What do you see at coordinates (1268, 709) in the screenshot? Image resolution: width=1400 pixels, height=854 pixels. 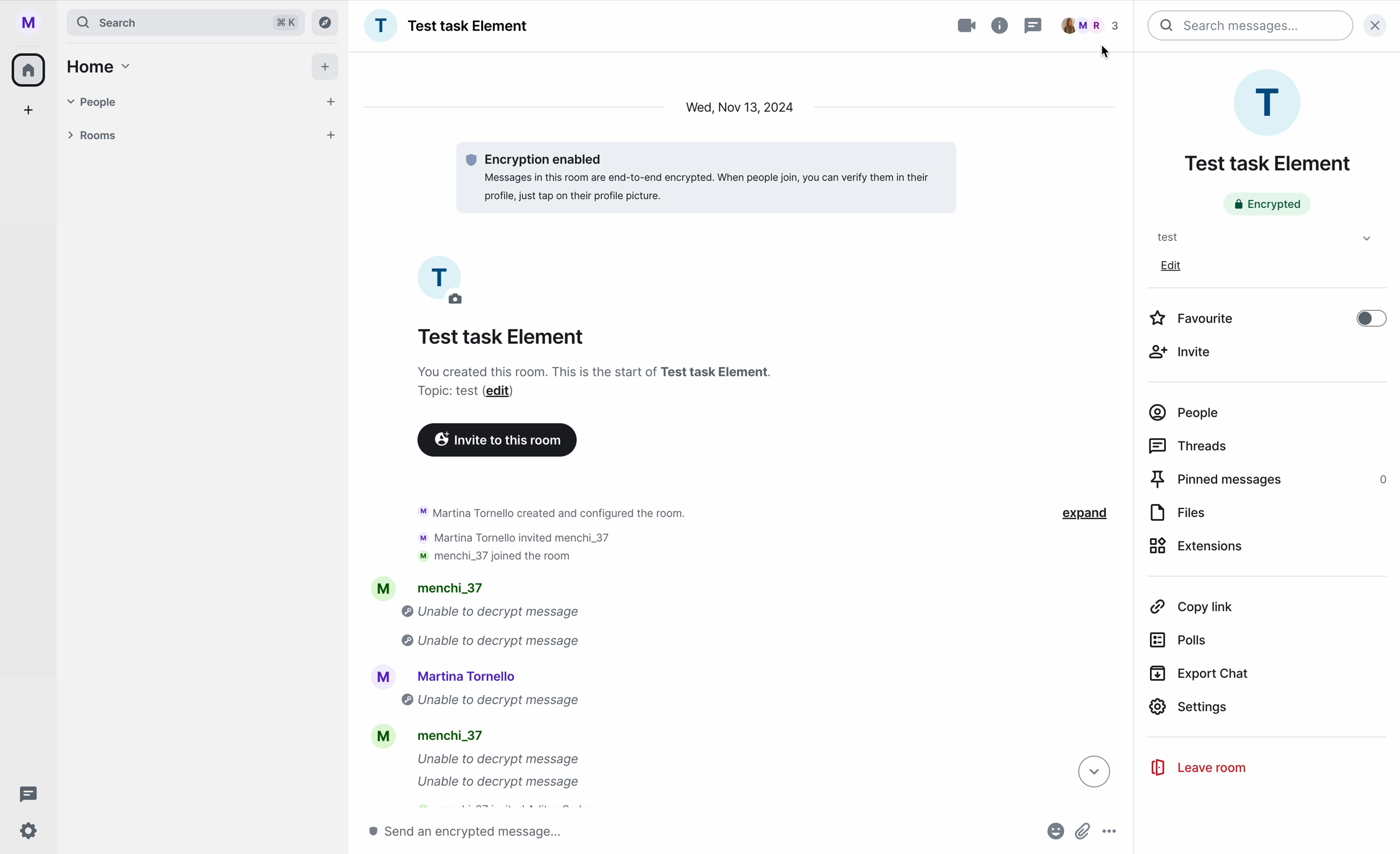 I see `click on settings` at bounding box center [1268, 709].